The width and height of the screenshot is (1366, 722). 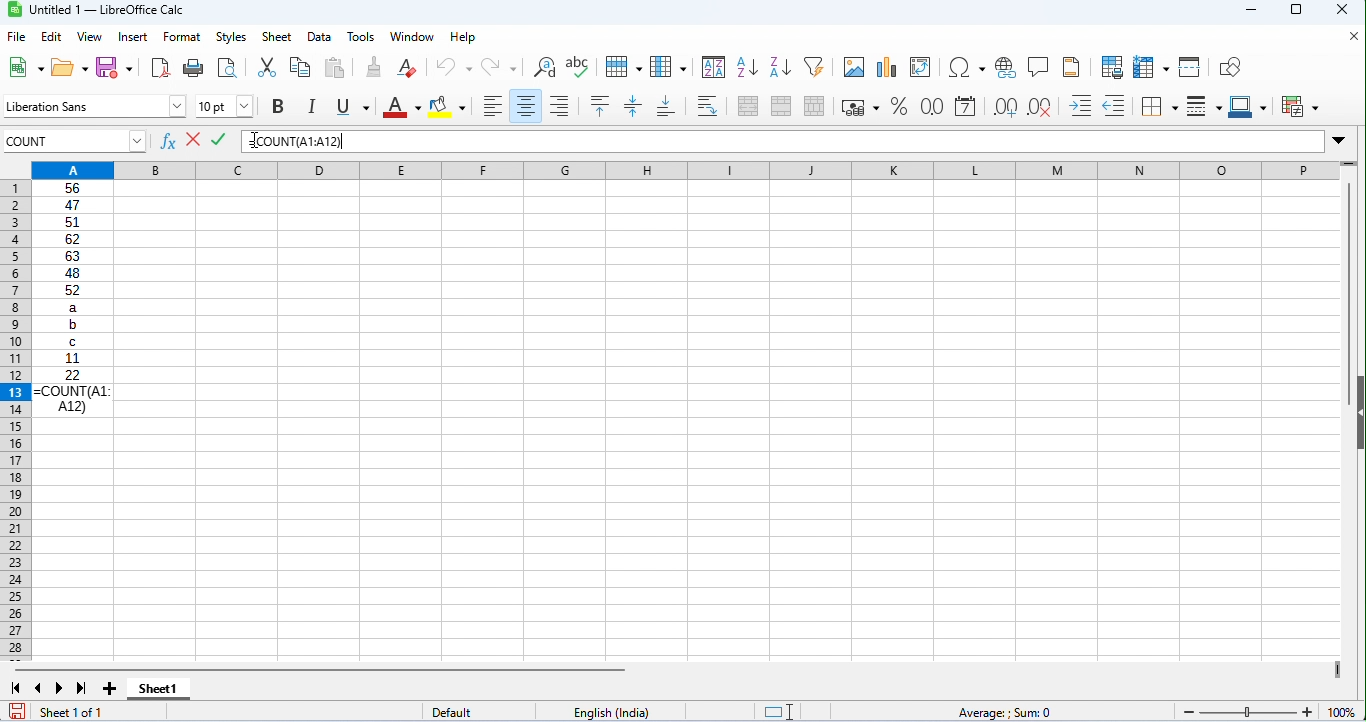 I want to click on Cursor, so click(x=255, y=140).